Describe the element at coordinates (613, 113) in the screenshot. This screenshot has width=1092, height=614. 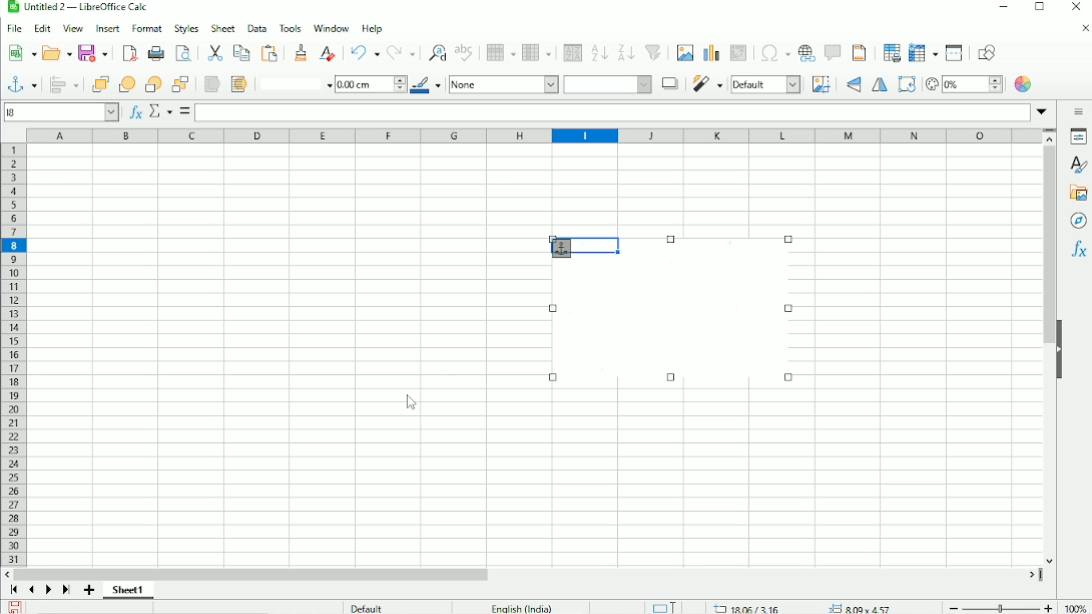
I see `Input line` at that location.